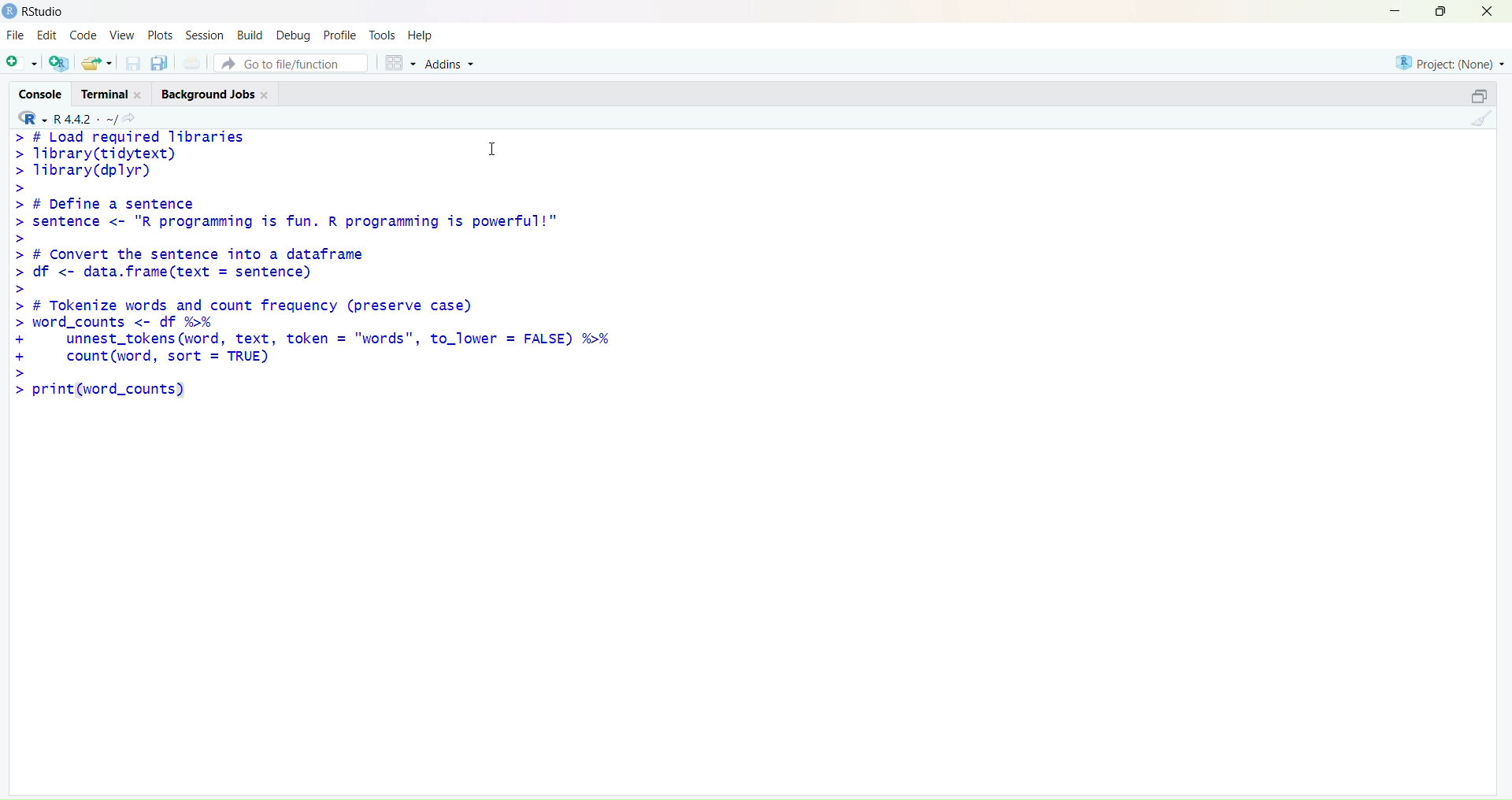  I want to click on workspace panes, so click(398, 64).